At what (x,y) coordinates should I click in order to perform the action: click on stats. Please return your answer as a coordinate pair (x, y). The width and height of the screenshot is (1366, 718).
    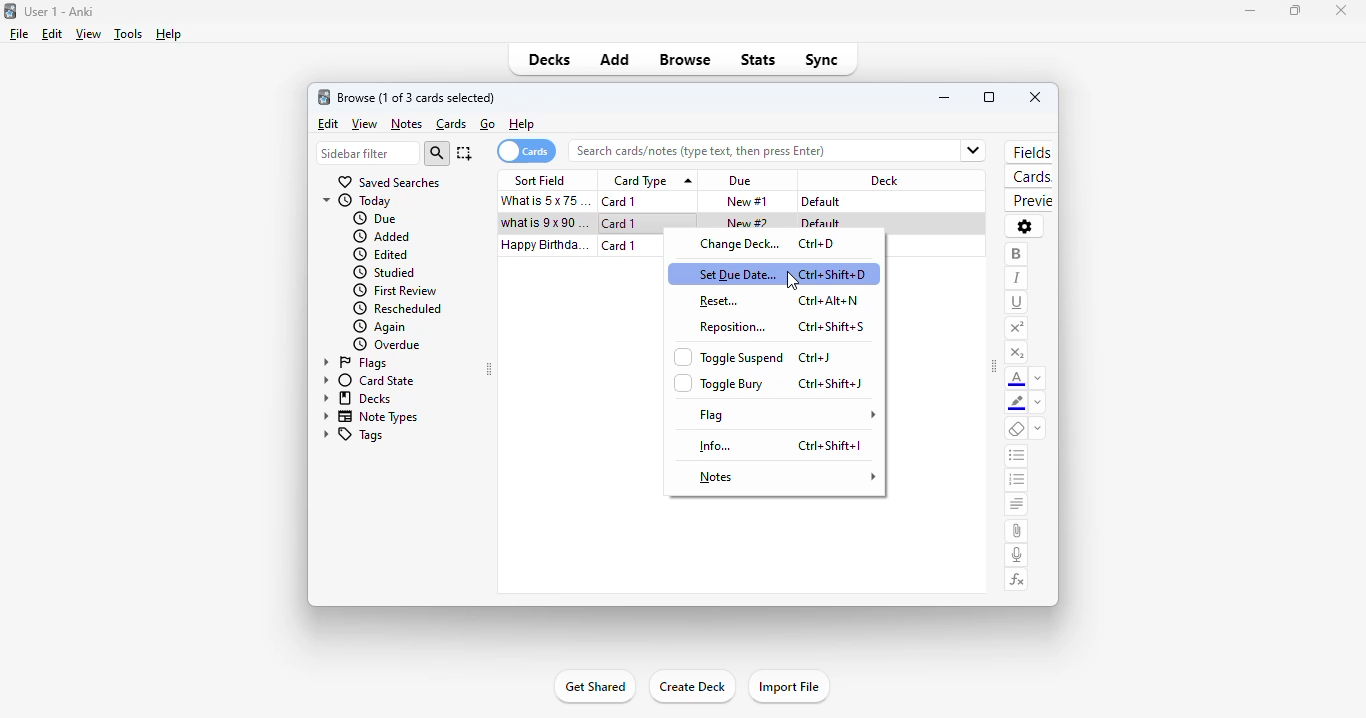
    Looking at the image, I should click on (758, 60).